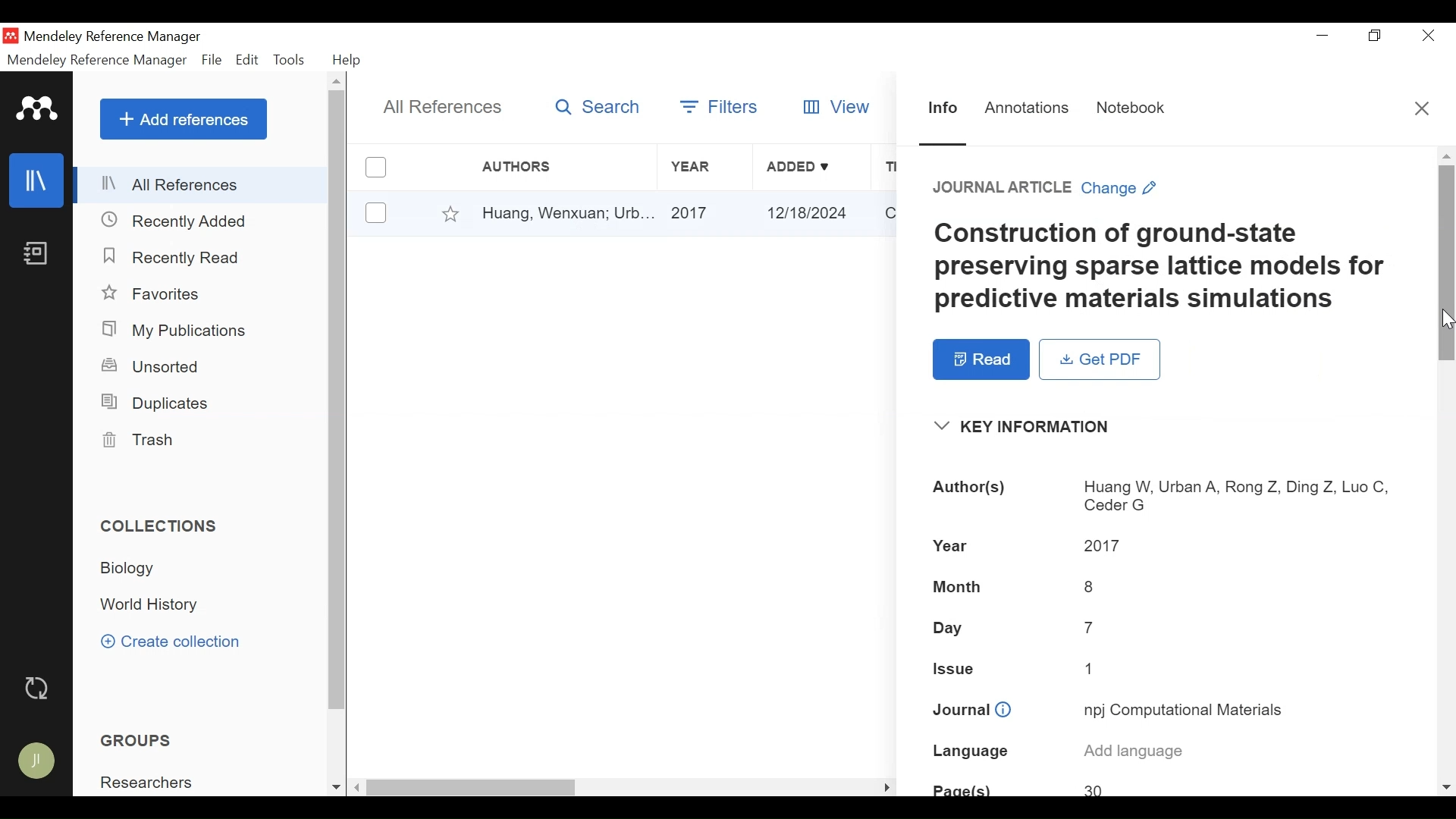 The image size is (1456, 819). I want to click on Duplicates, so click(158, 405).